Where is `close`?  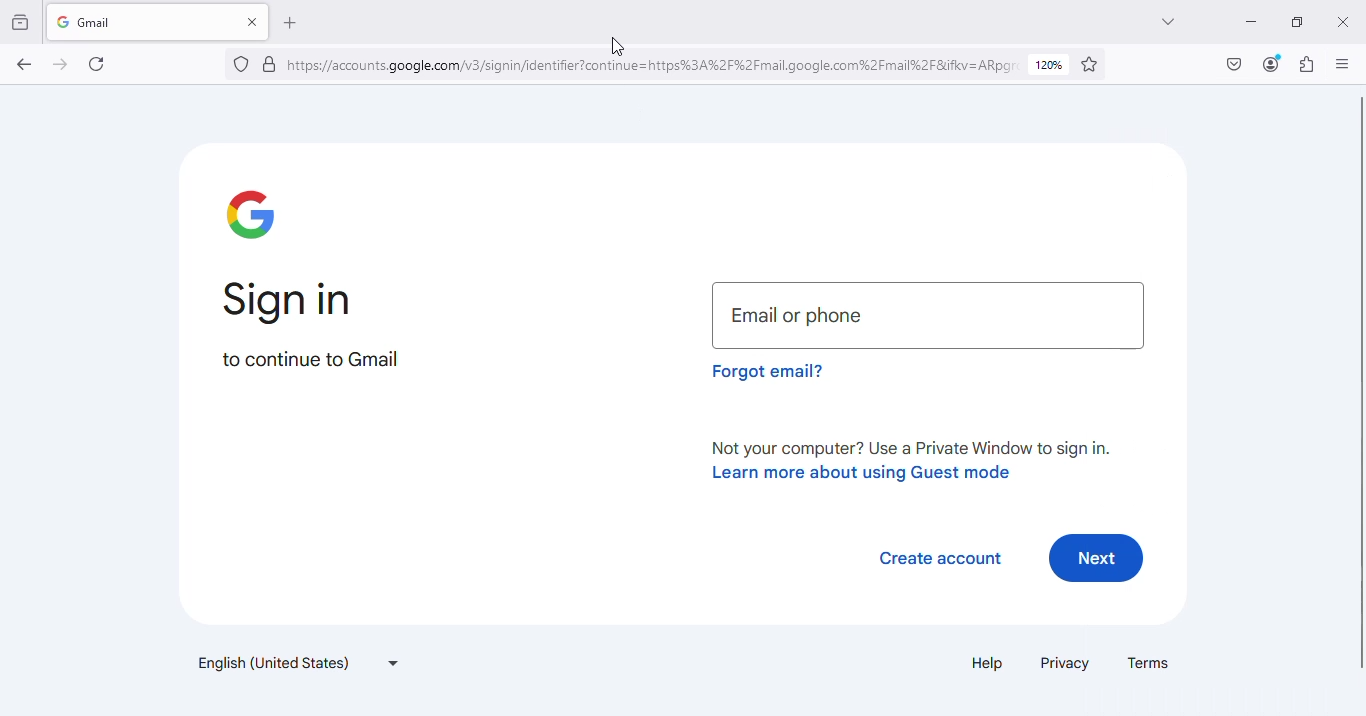 close is located at coordinates (1342, 23).